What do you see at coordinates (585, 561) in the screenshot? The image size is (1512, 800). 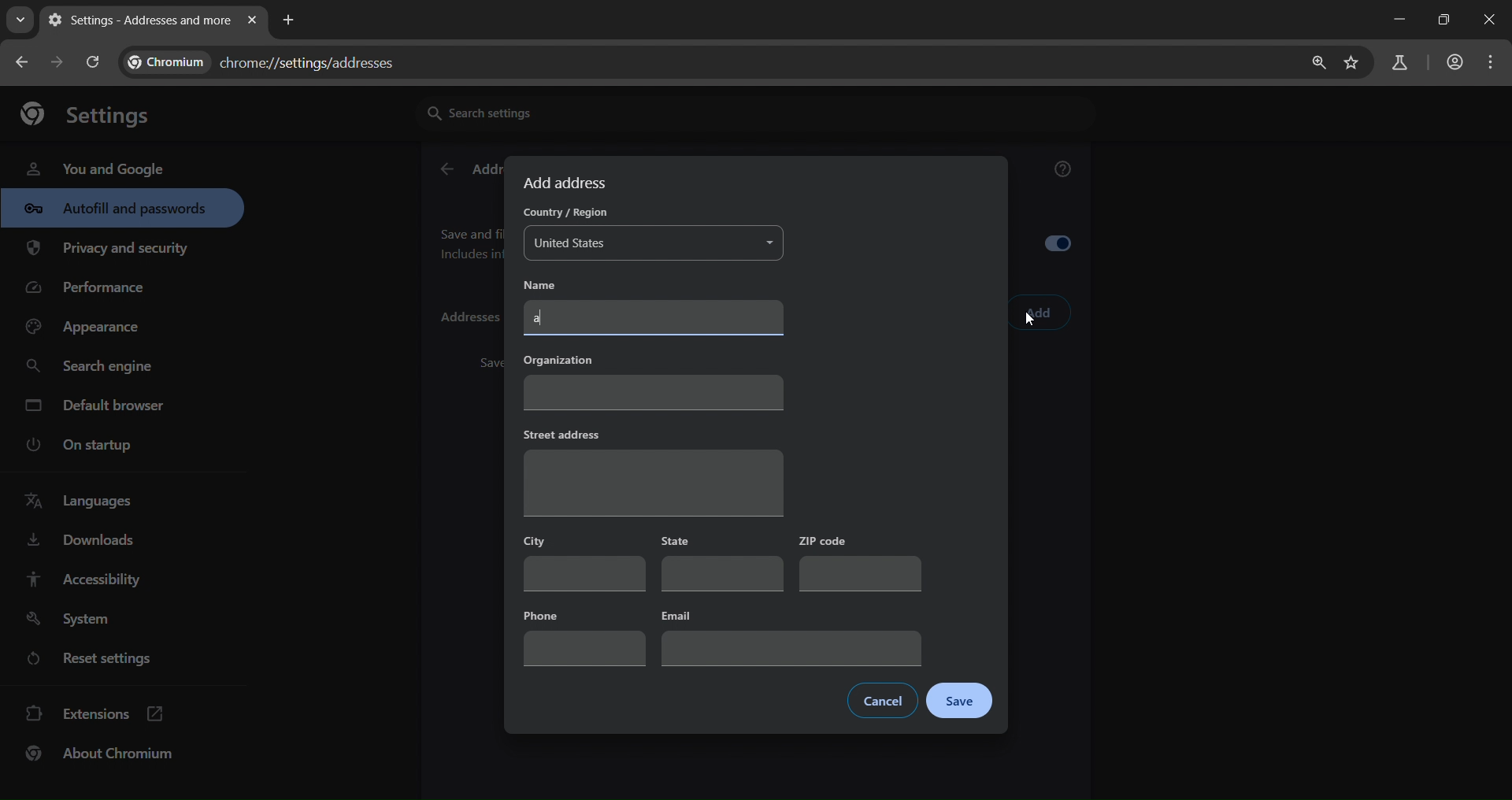 I see `city` at bounding box center [585, 561].